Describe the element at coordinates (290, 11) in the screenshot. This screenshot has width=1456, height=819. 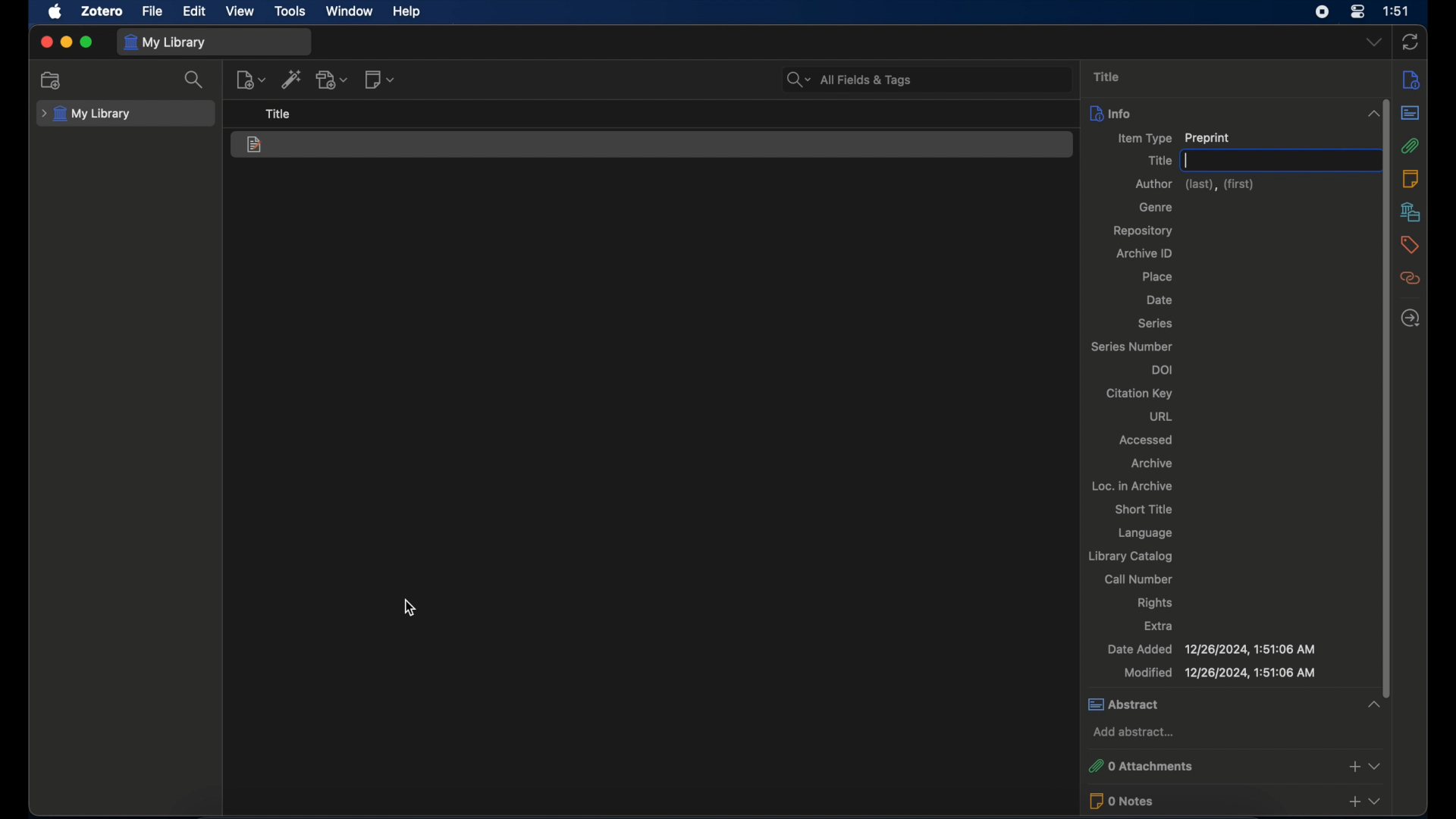
I see `tools` at that location.